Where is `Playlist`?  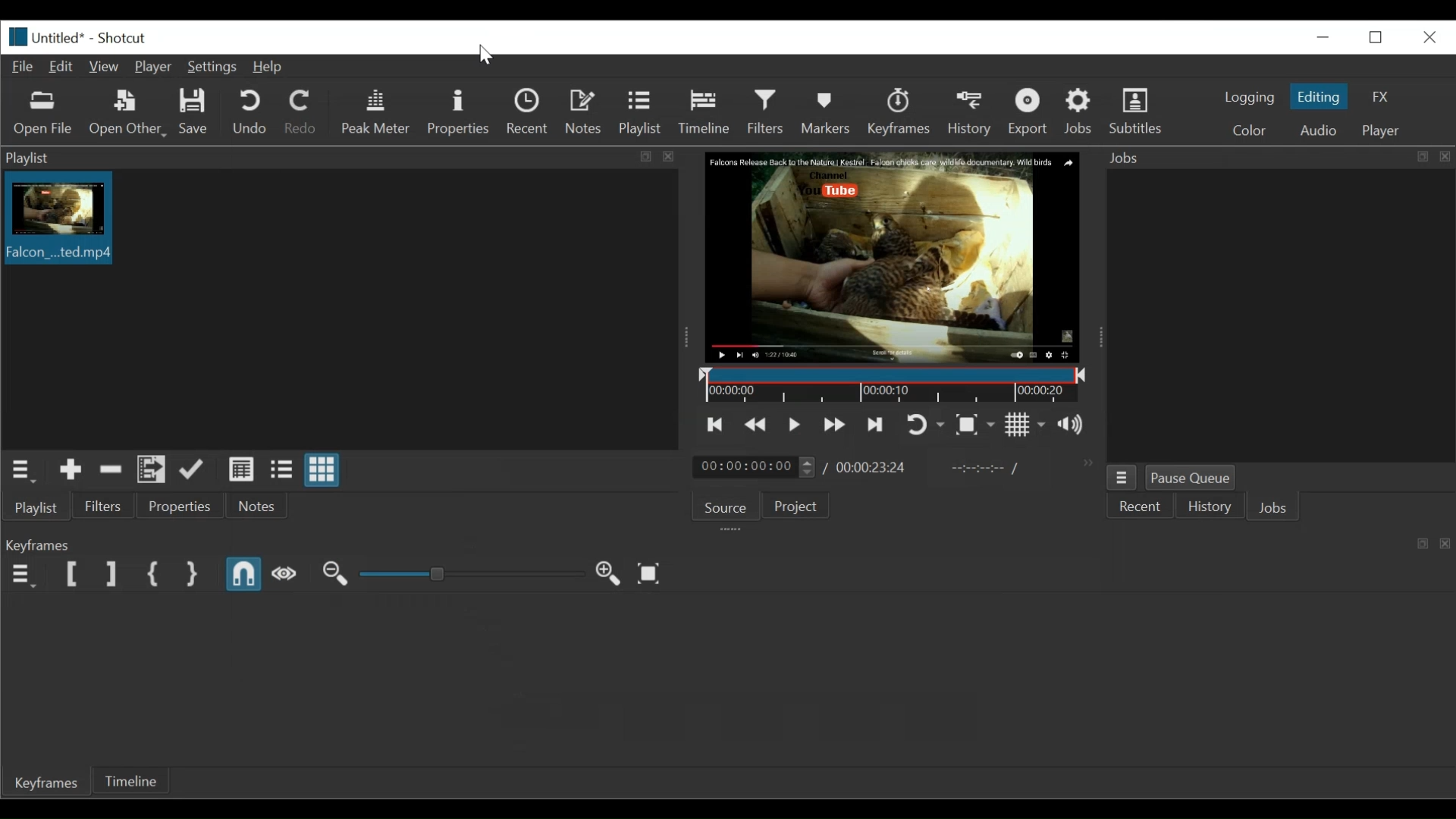 Playlist is located at coordinates (42, 509).